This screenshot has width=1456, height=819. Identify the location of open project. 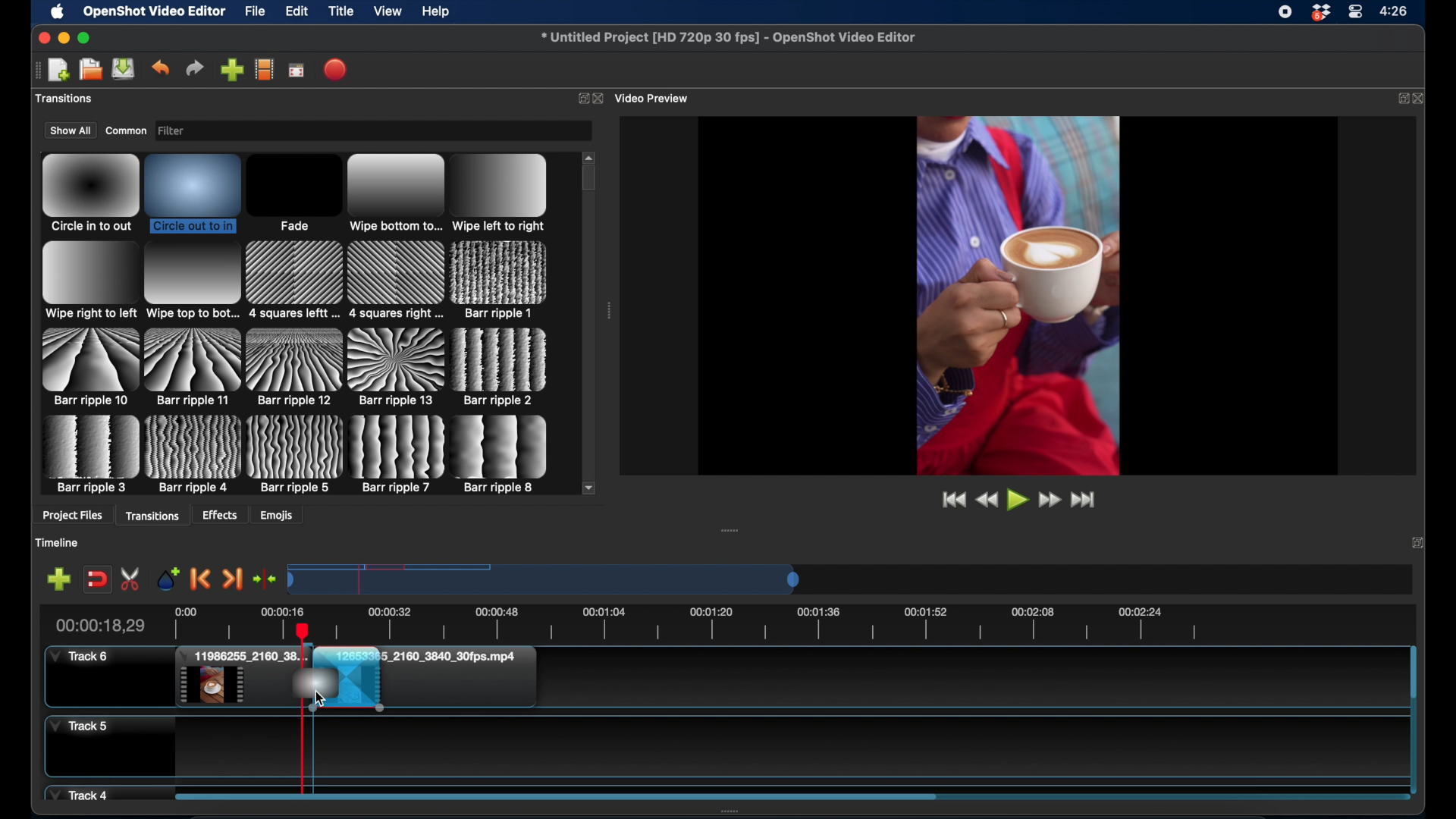
(89, 70).